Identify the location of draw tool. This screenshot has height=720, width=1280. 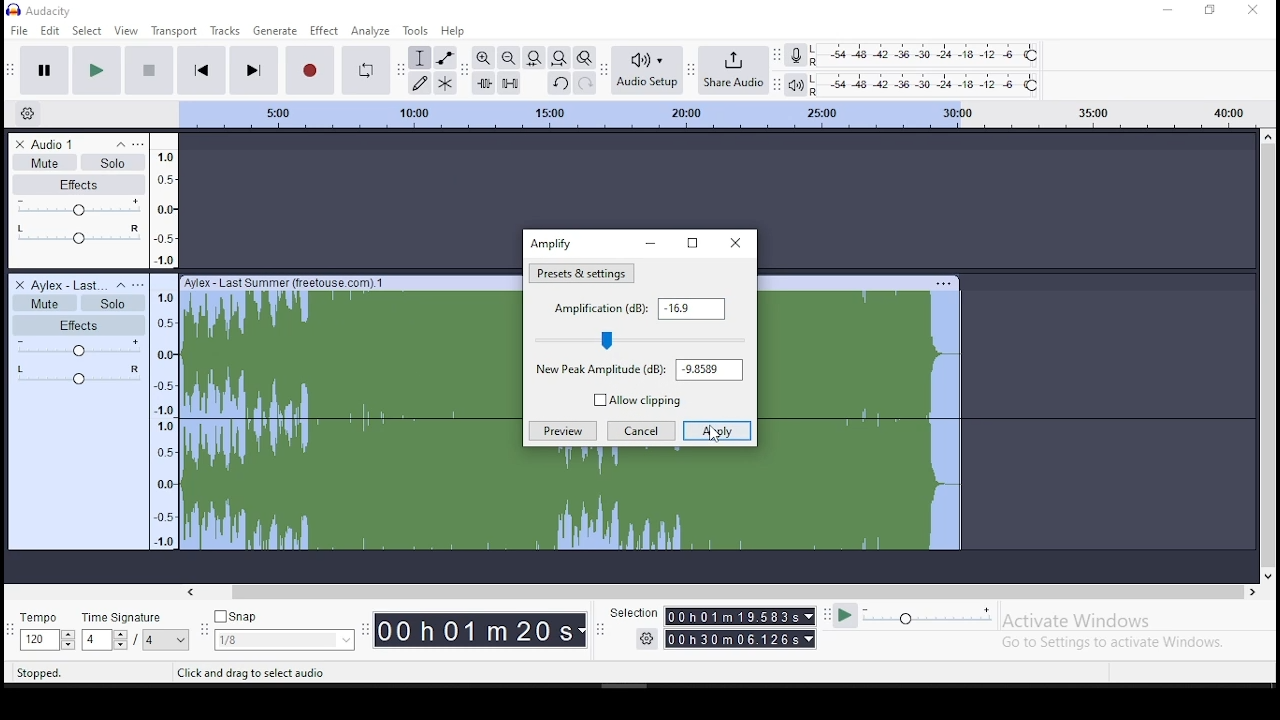
(418, 83).